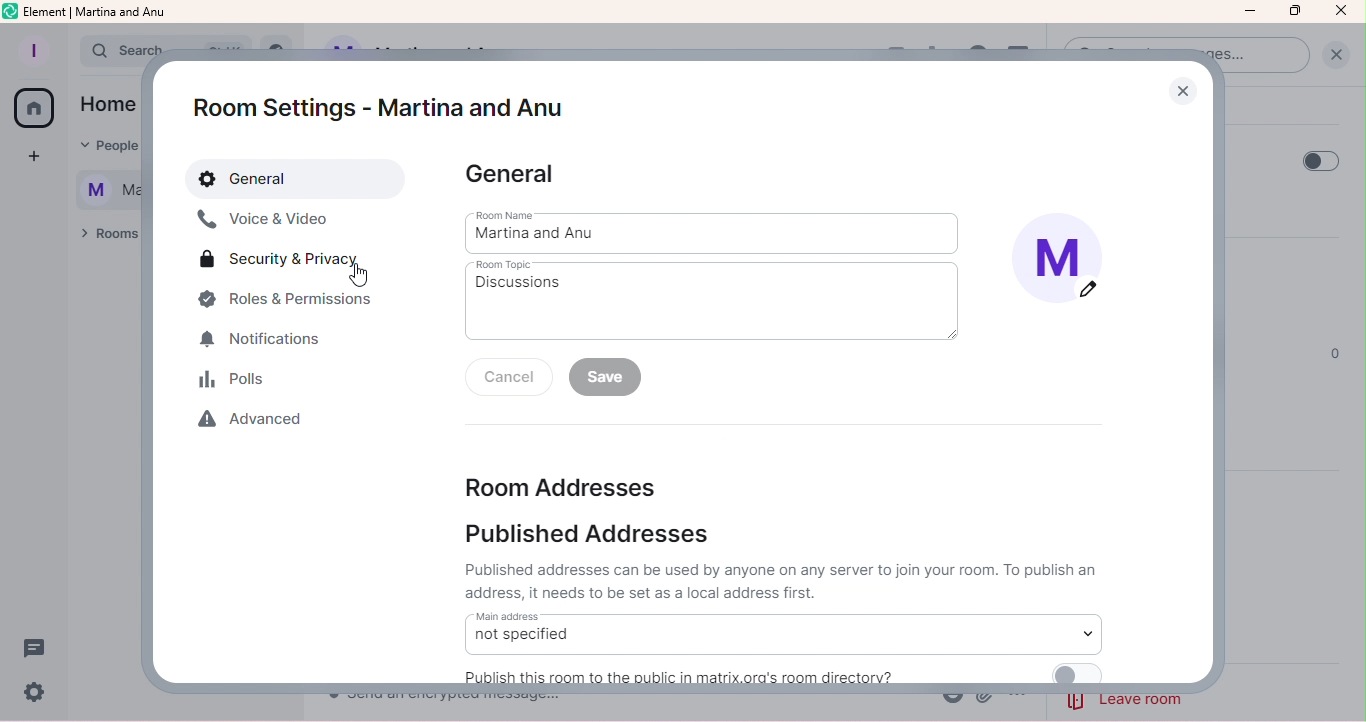  I want to click on Quick settings, so click(34, 695).